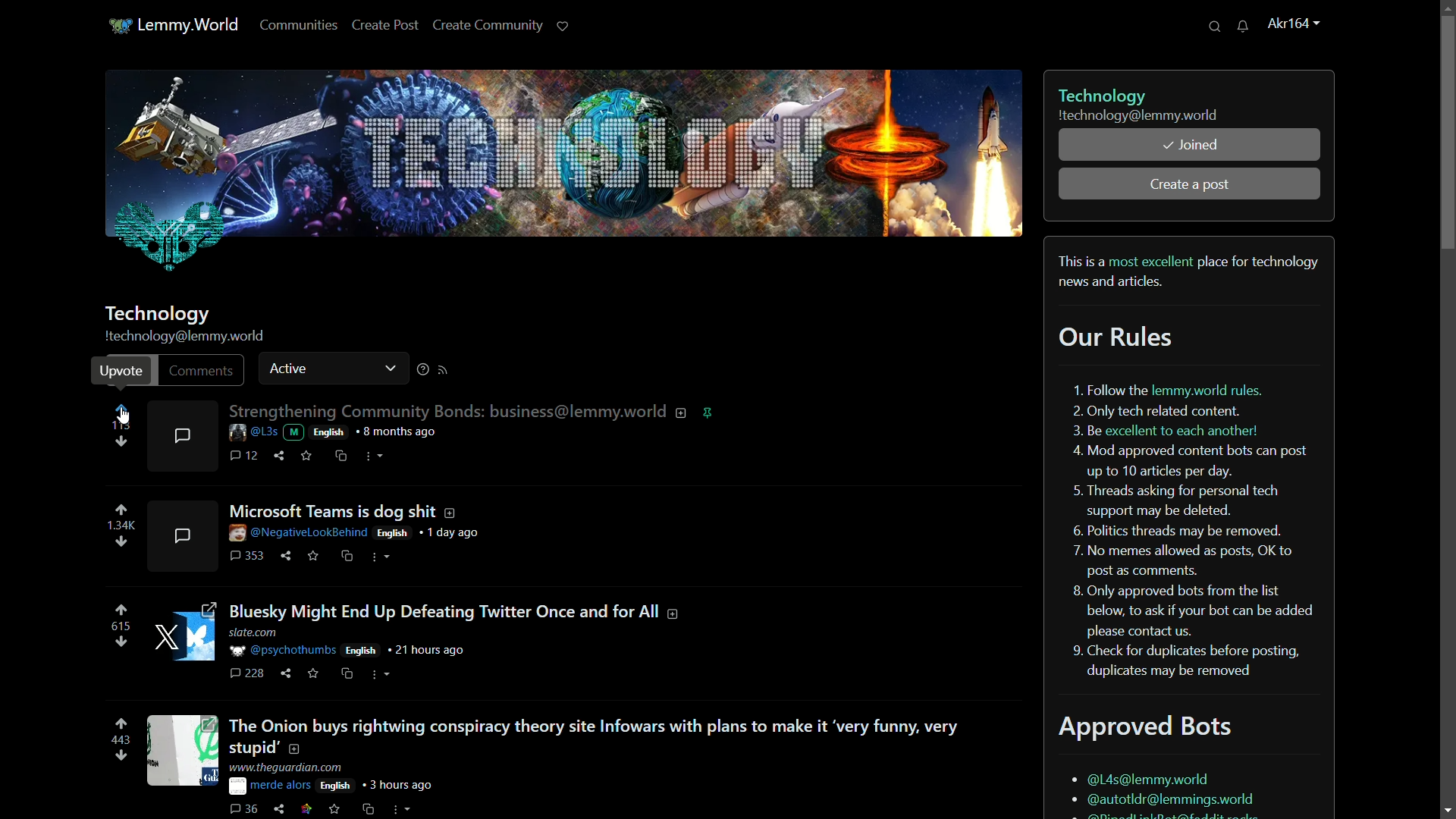 The height and width of the screenshot is (819, 1456). What do you see at coordinates (244, 673) in the screenshot?
I see `comments` at bounding box center [244, 673].